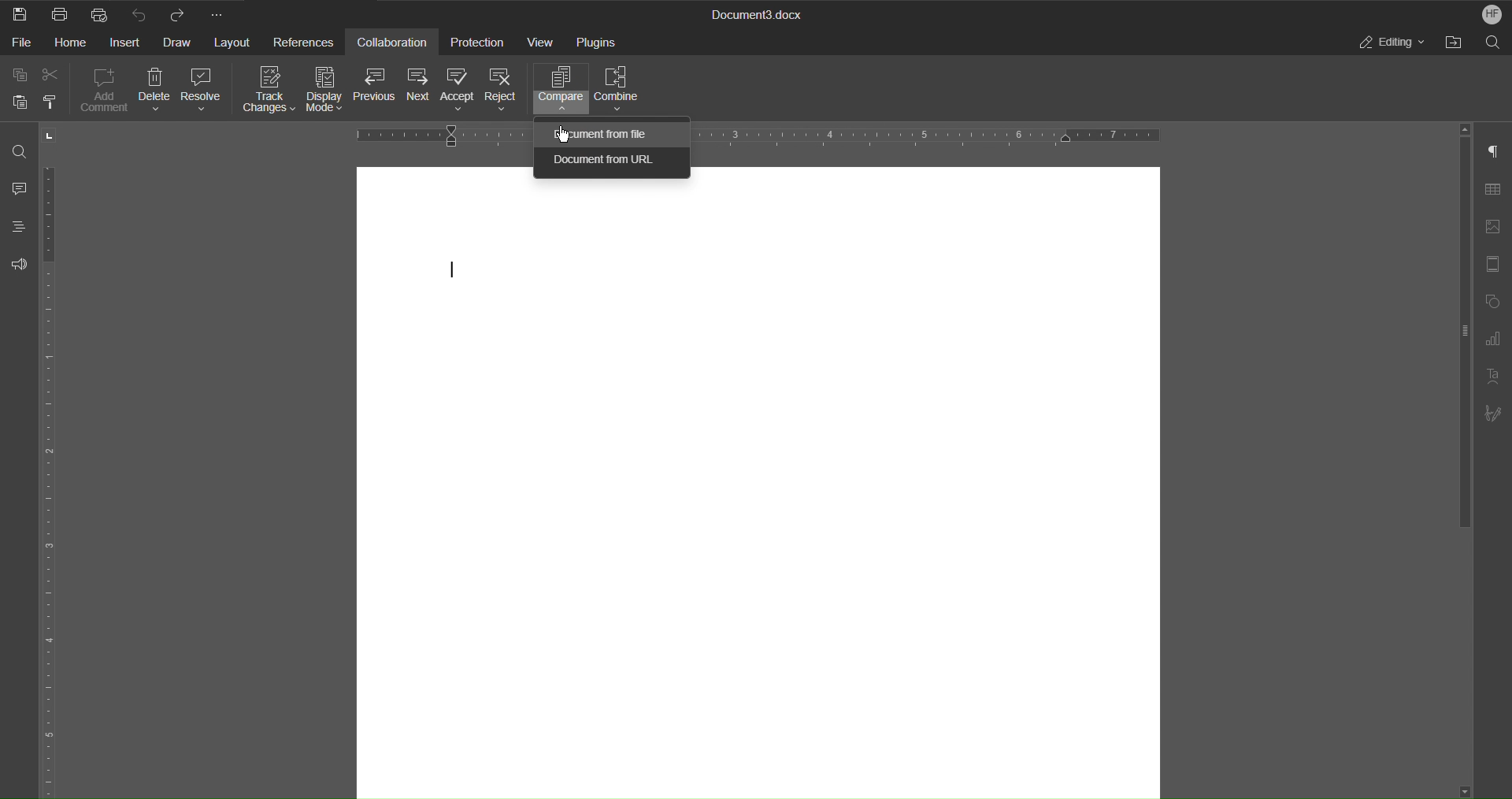  I want to click on Scroll down, so click(1464, 790).